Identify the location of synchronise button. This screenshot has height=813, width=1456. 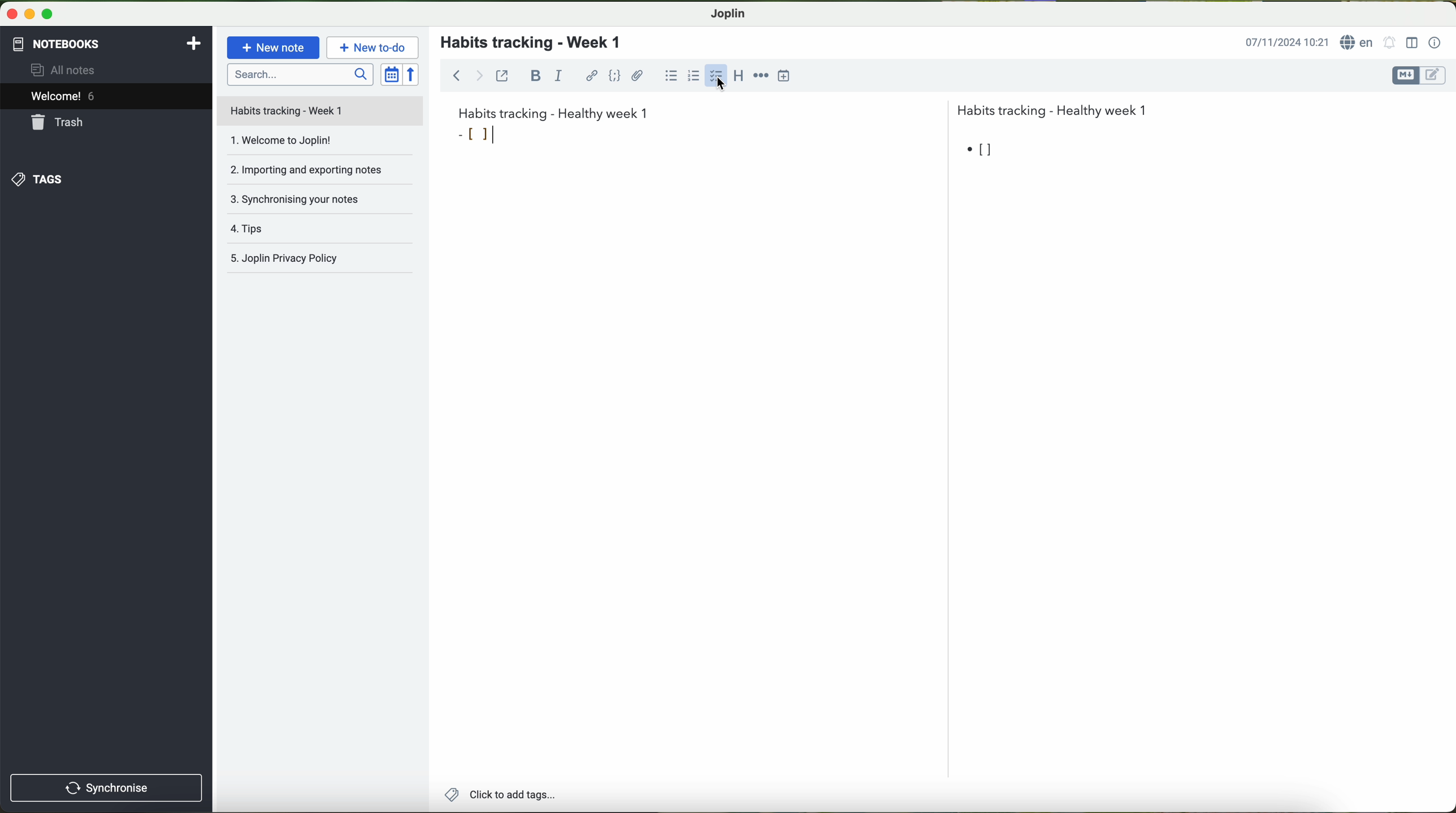
(107, 788).